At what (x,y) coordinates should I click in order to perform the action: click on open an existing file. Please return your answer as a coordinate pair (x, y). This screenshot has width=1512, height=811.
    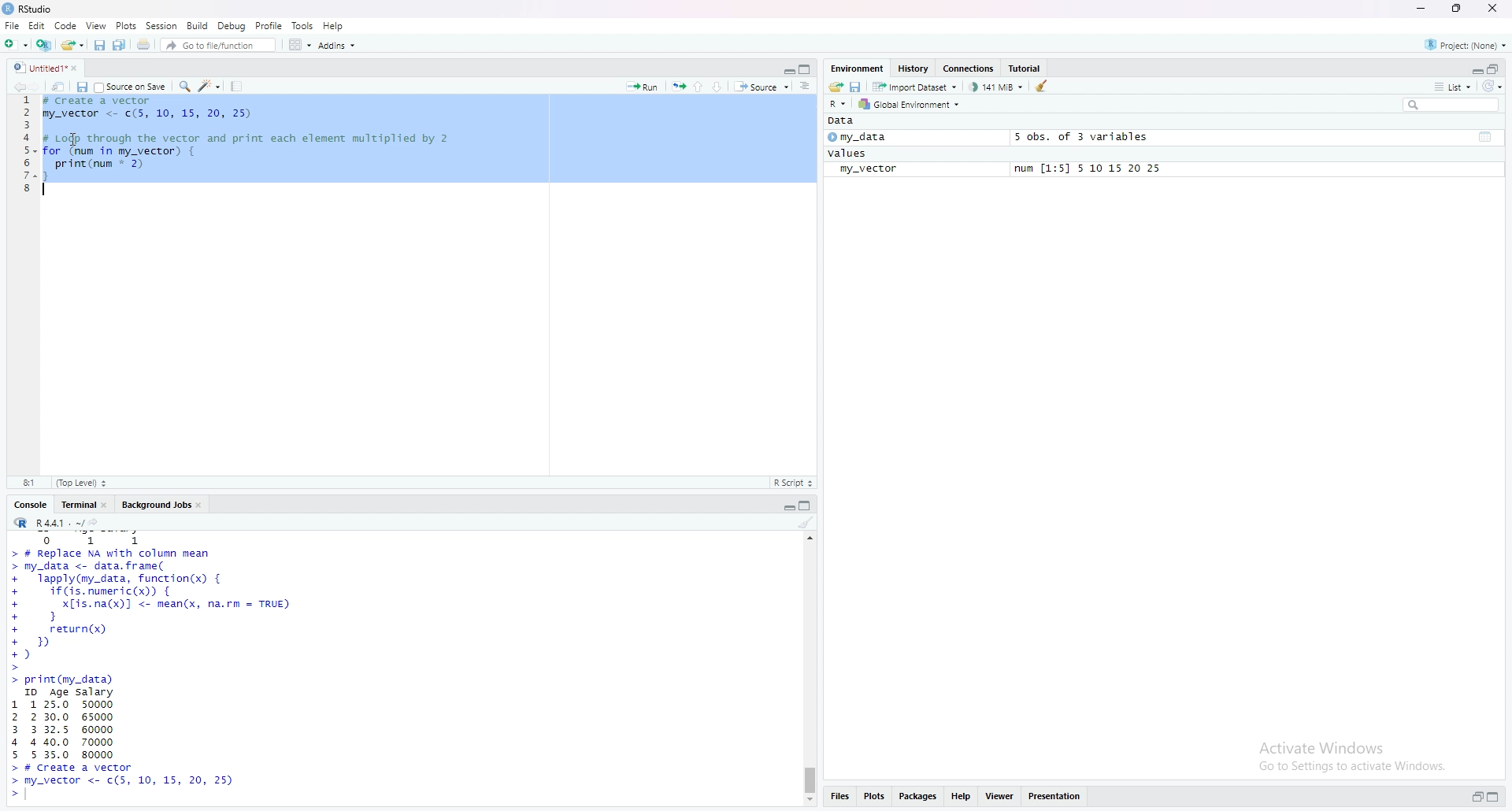
    Looking at the image, I should click on (73, 46).